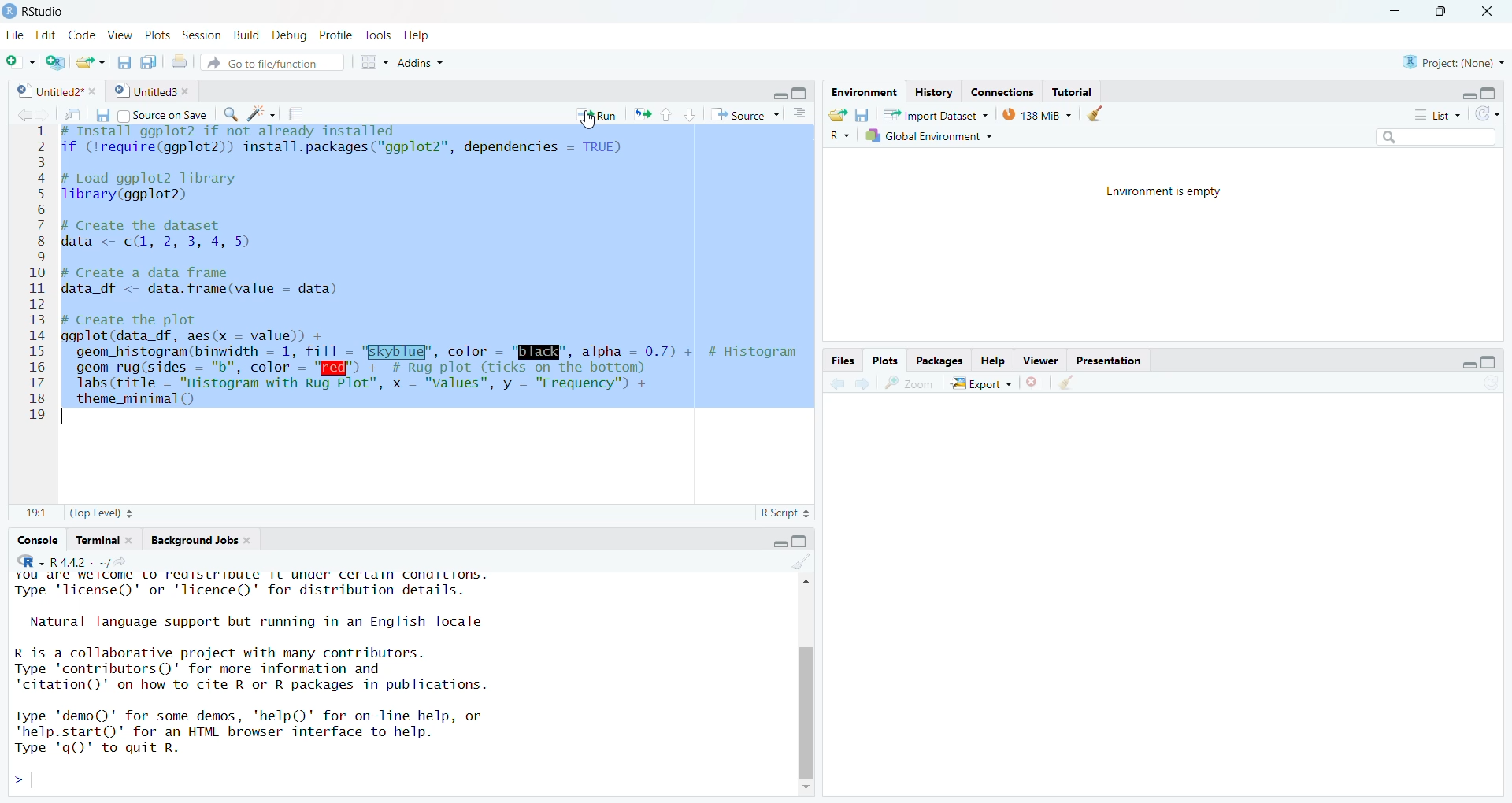 This screenshot has height=803, width=1512. I want to click on Session, so click(200, 35).